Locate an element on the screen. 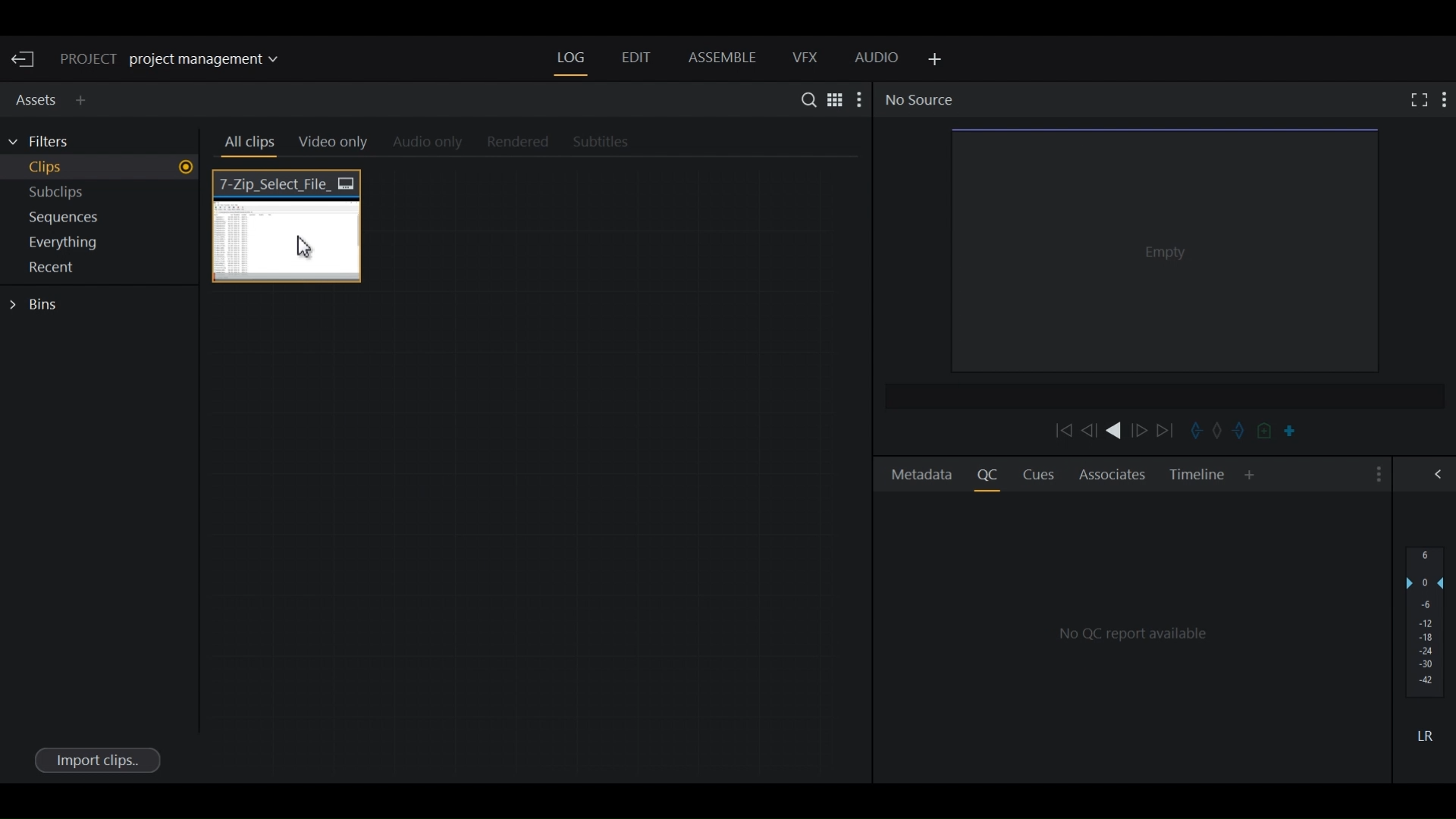  No Source is located at coordinates (918, 100).